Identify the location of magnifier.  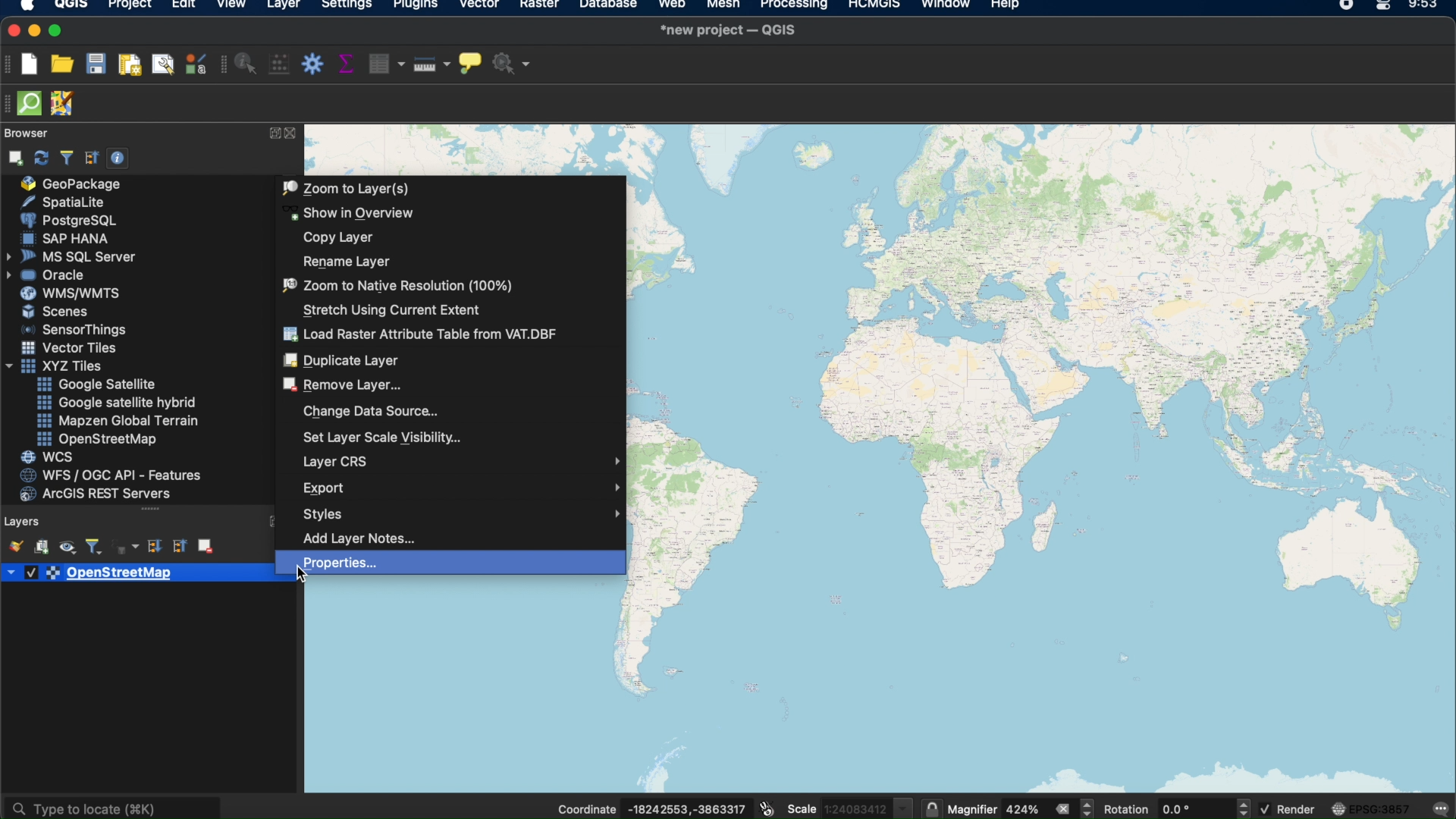
(1023, 808).